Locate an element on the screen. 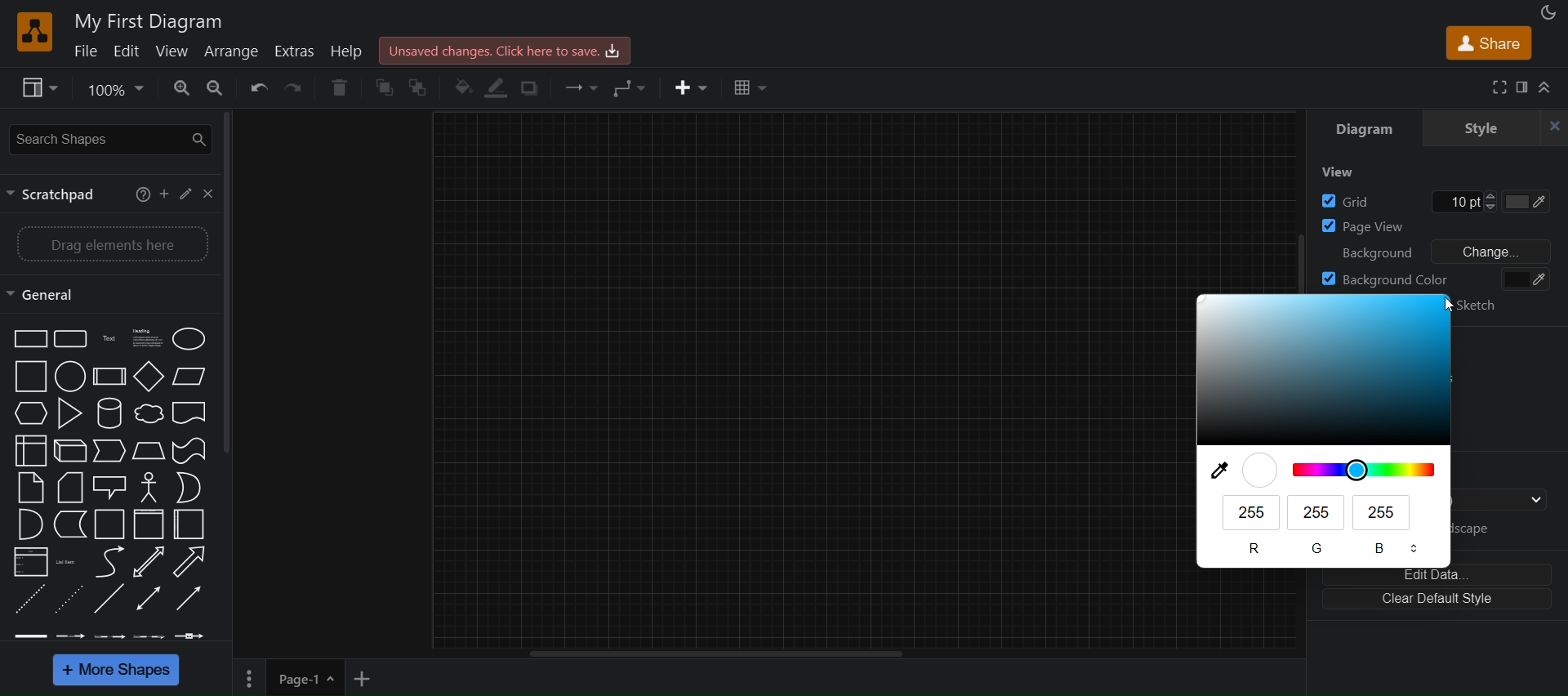 This screenshot has width=1568, height=696. format is located at coordinates (1521, 87).